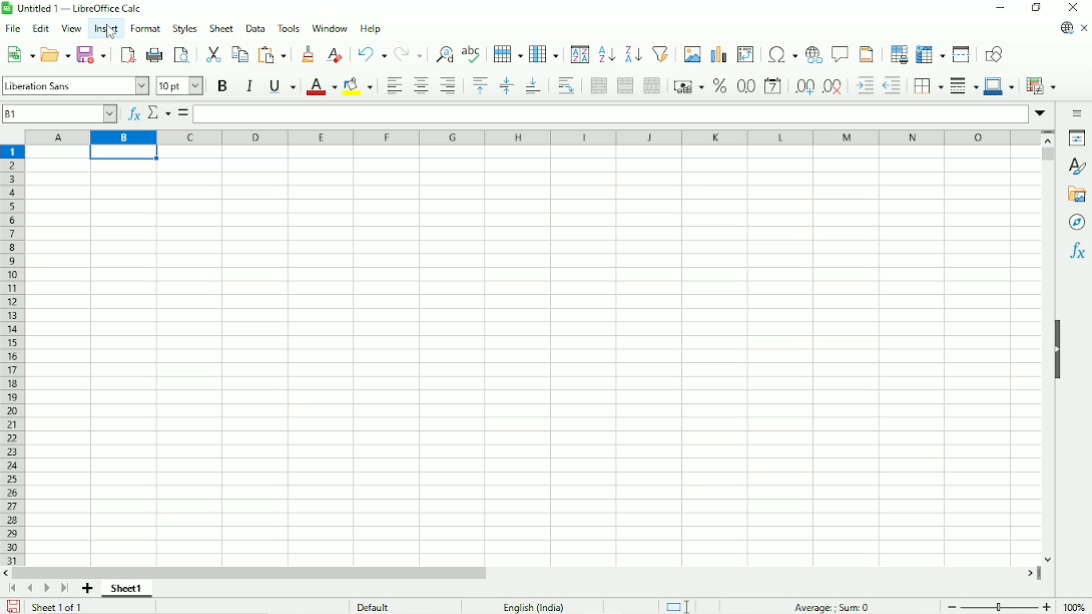 The image size is (1092, 614). Describe the element at coordinates (719, 51) in the screenshot. I see `Insert chart` at that location.